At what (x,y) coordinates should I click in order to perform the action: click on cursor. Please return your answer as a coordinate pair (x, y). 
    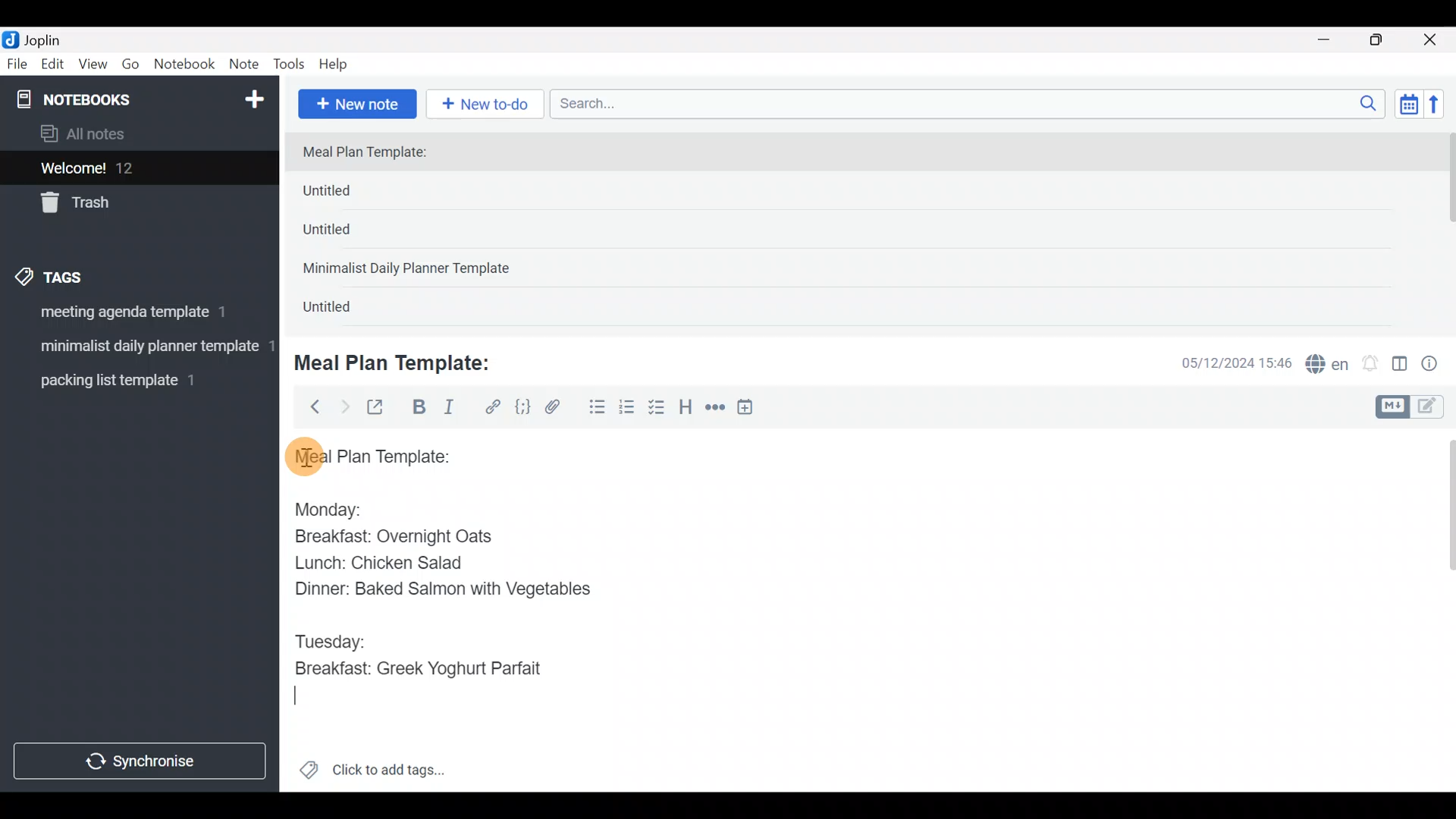
    Looking at the image, I should click on (303, 456).